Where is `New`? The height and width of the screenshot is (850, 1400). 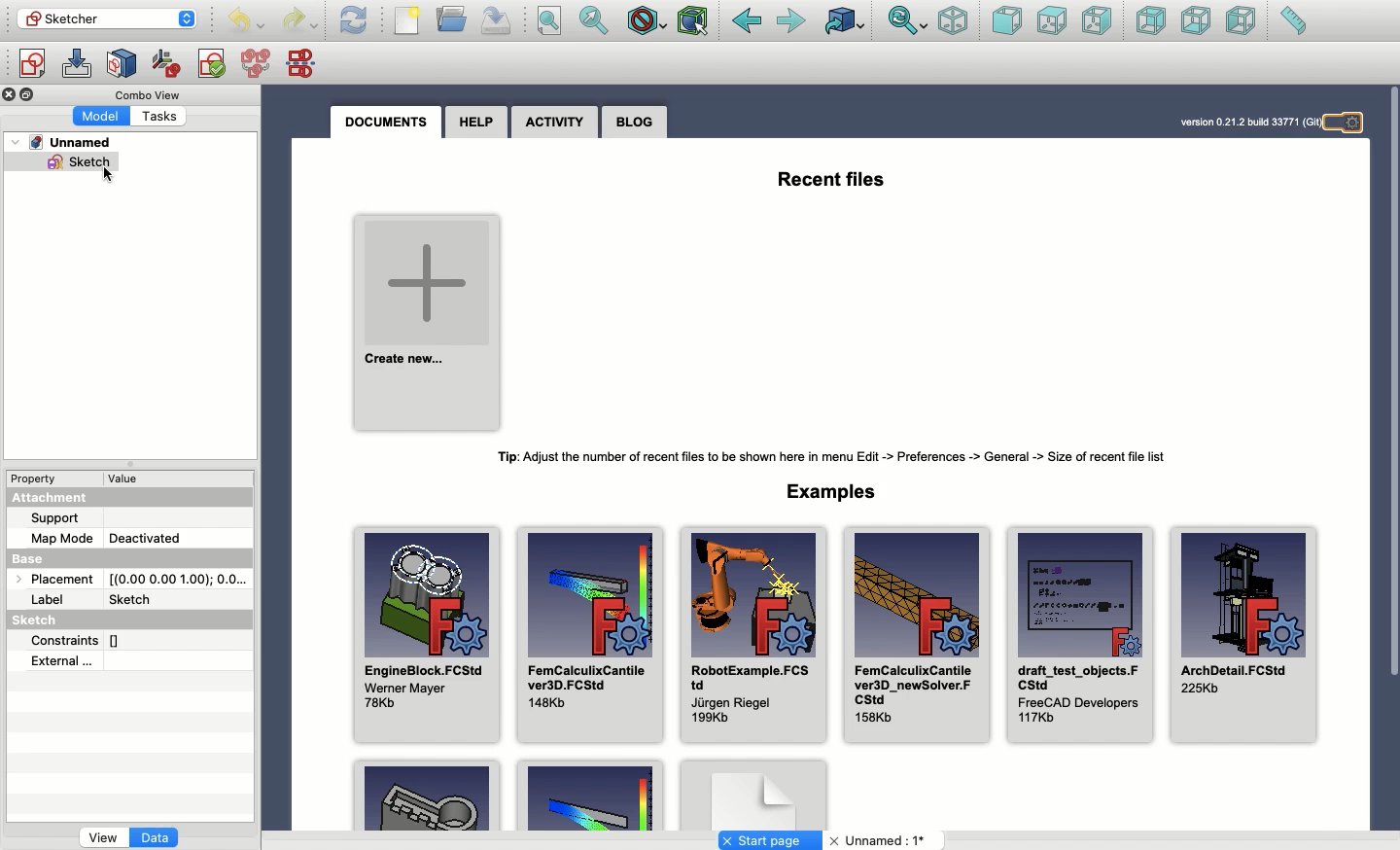
New is located at coordinates (407, 20).